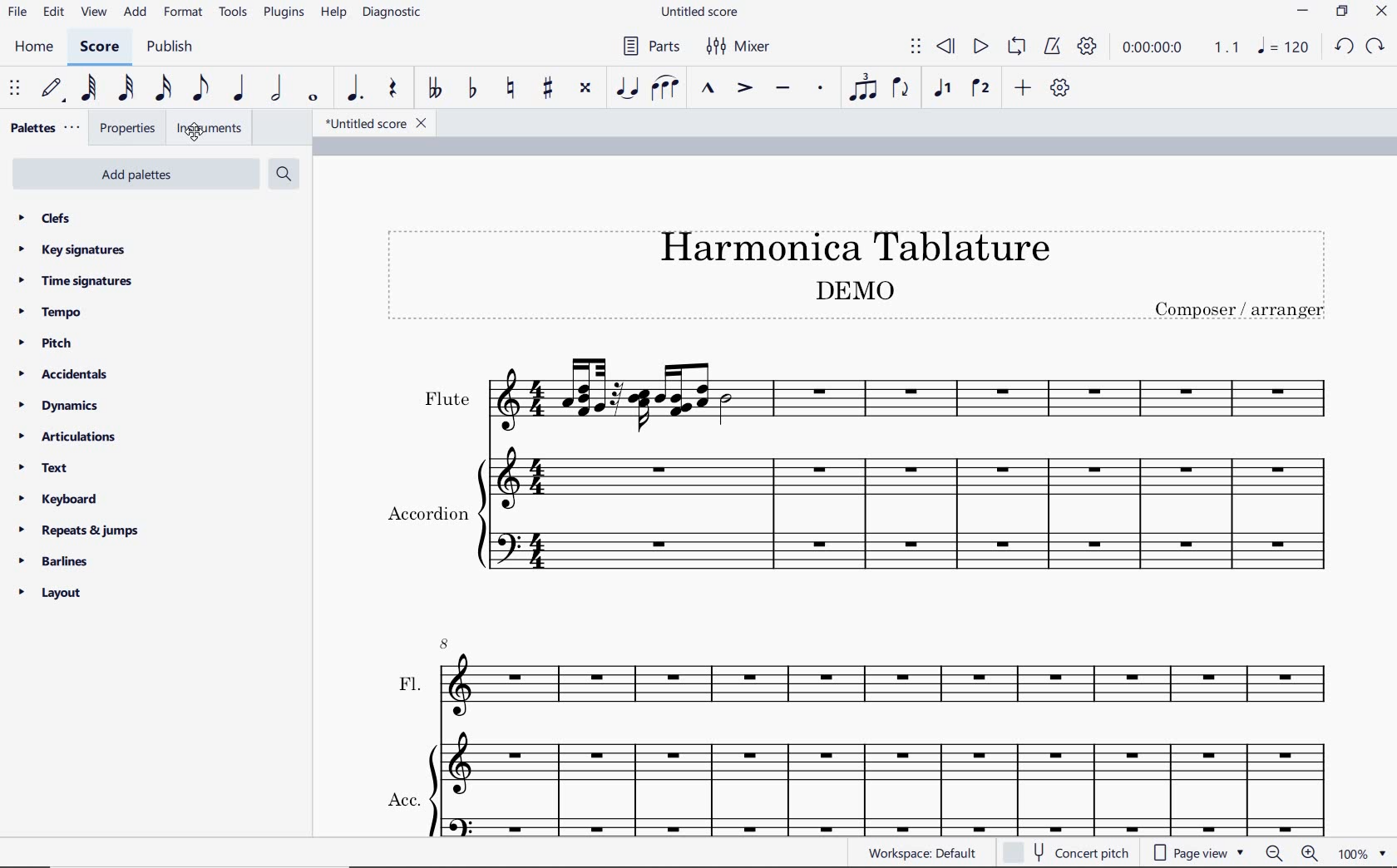  Describe the element at coordinates (283, 177) in the screenshot. I see `search palettes` at that location.